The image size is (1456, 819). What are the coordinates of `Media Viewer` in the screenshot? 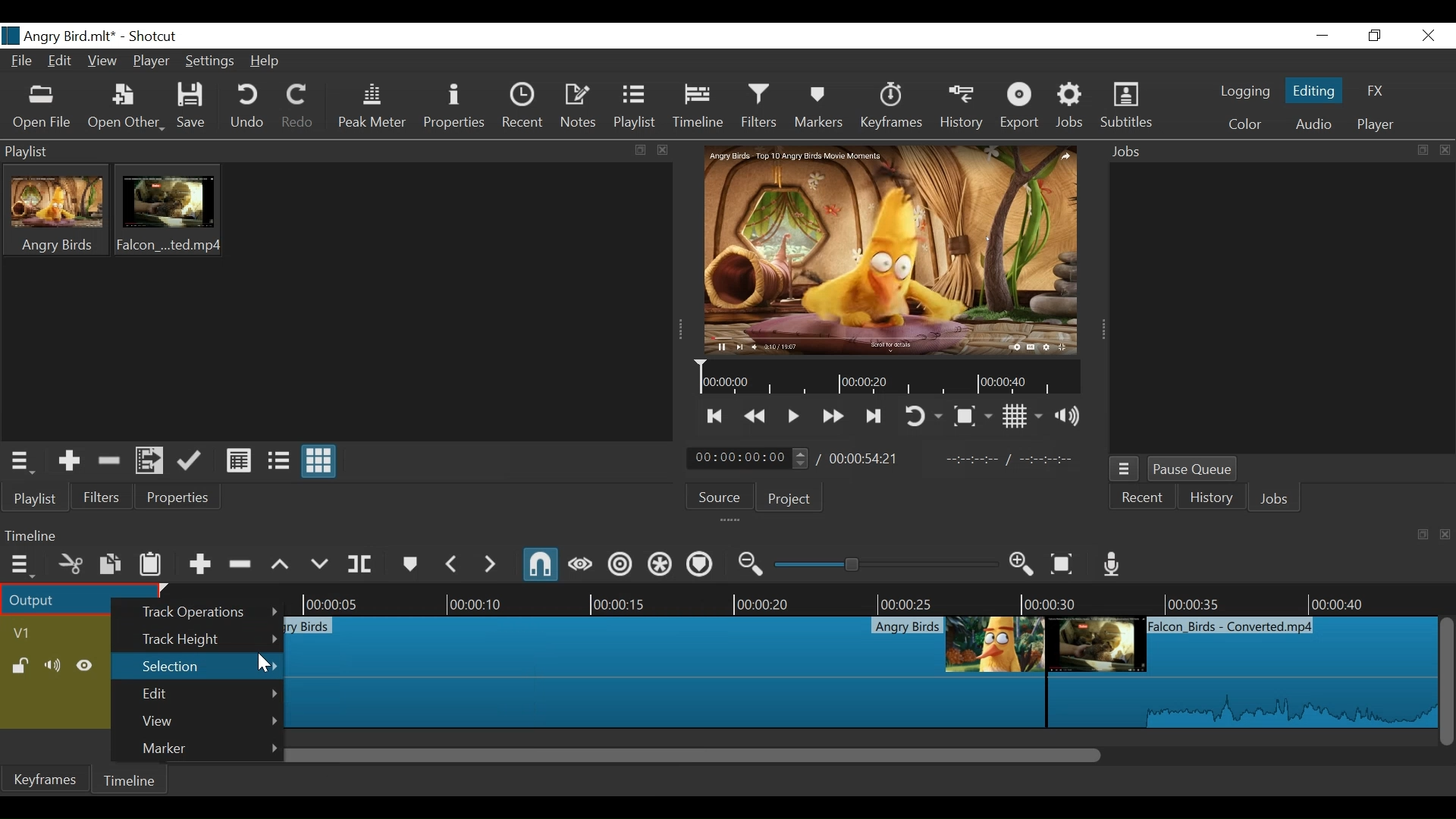 It's located at (886, 249).